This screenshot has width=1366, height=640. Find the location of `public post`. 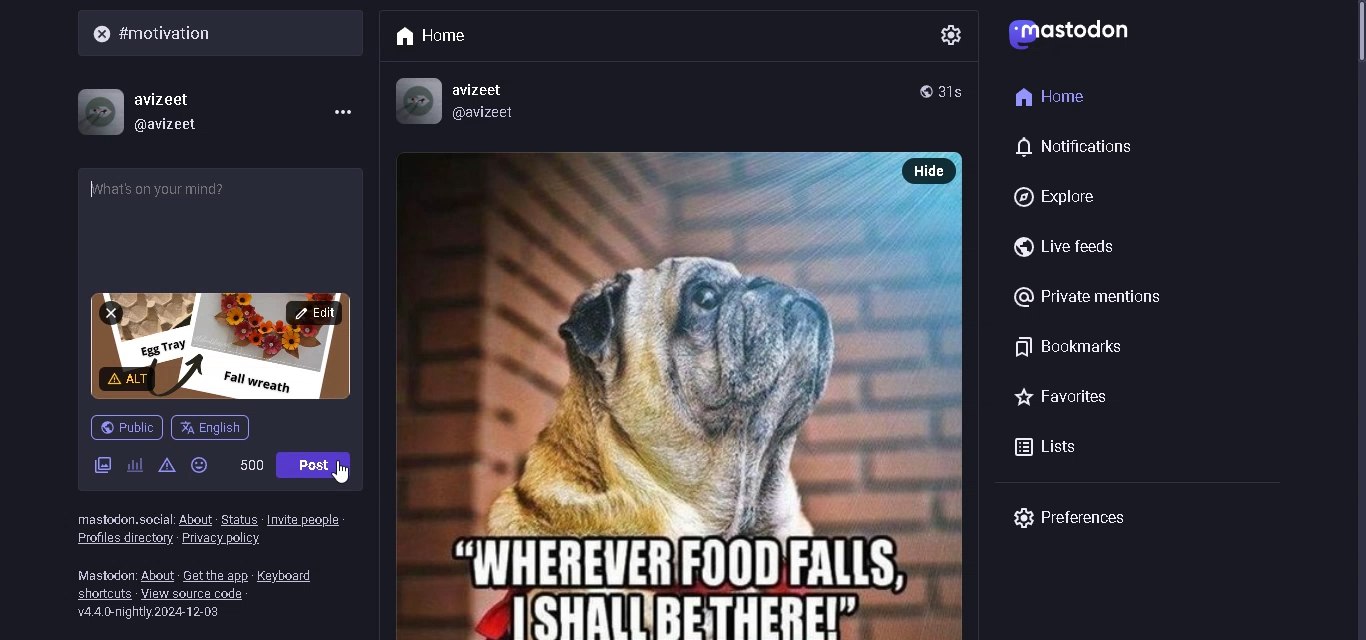

public post is located at coordinates (127, 427).